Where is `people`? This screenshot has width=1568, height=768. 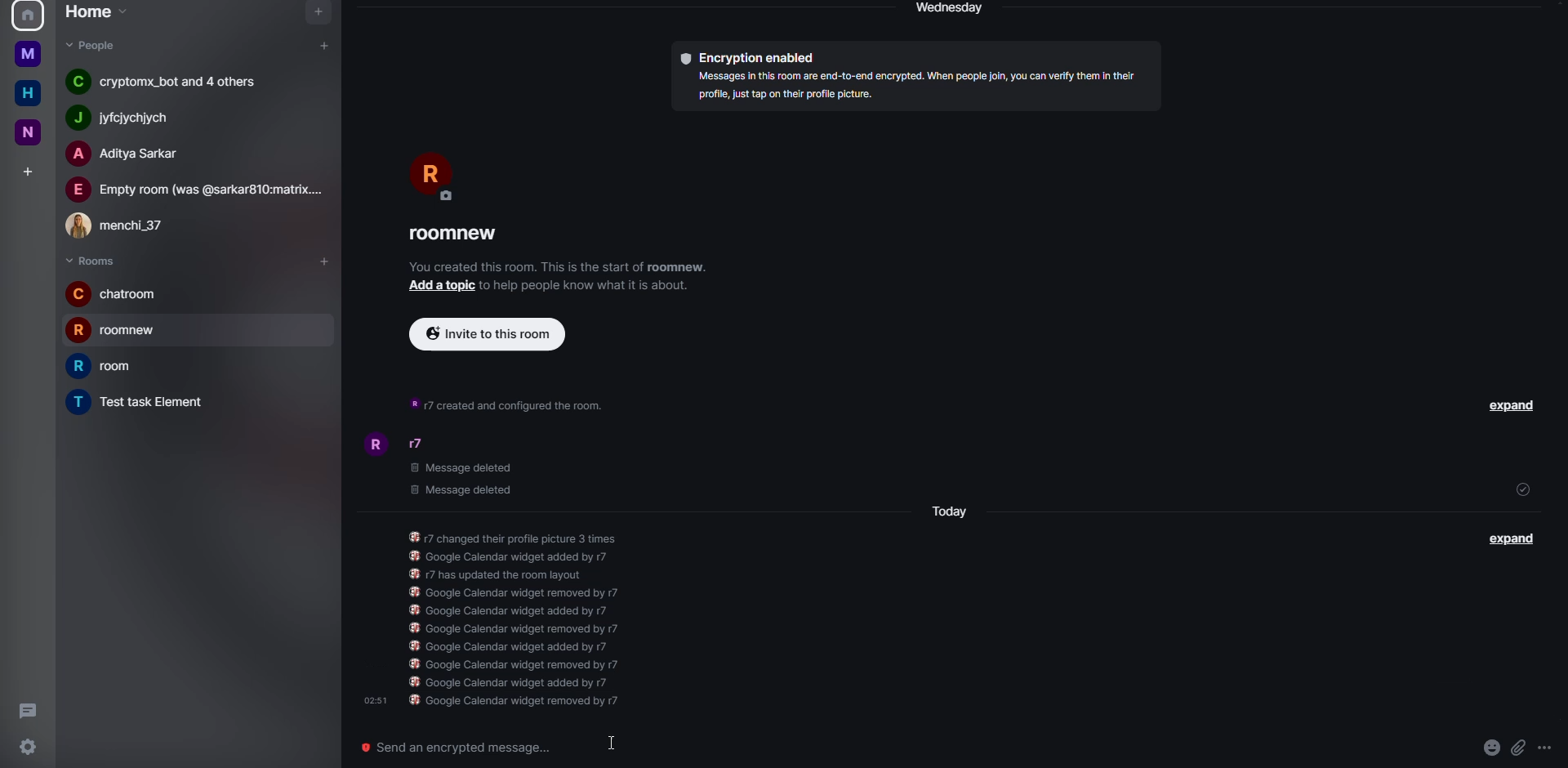
people is located at coordinates (91, 47).